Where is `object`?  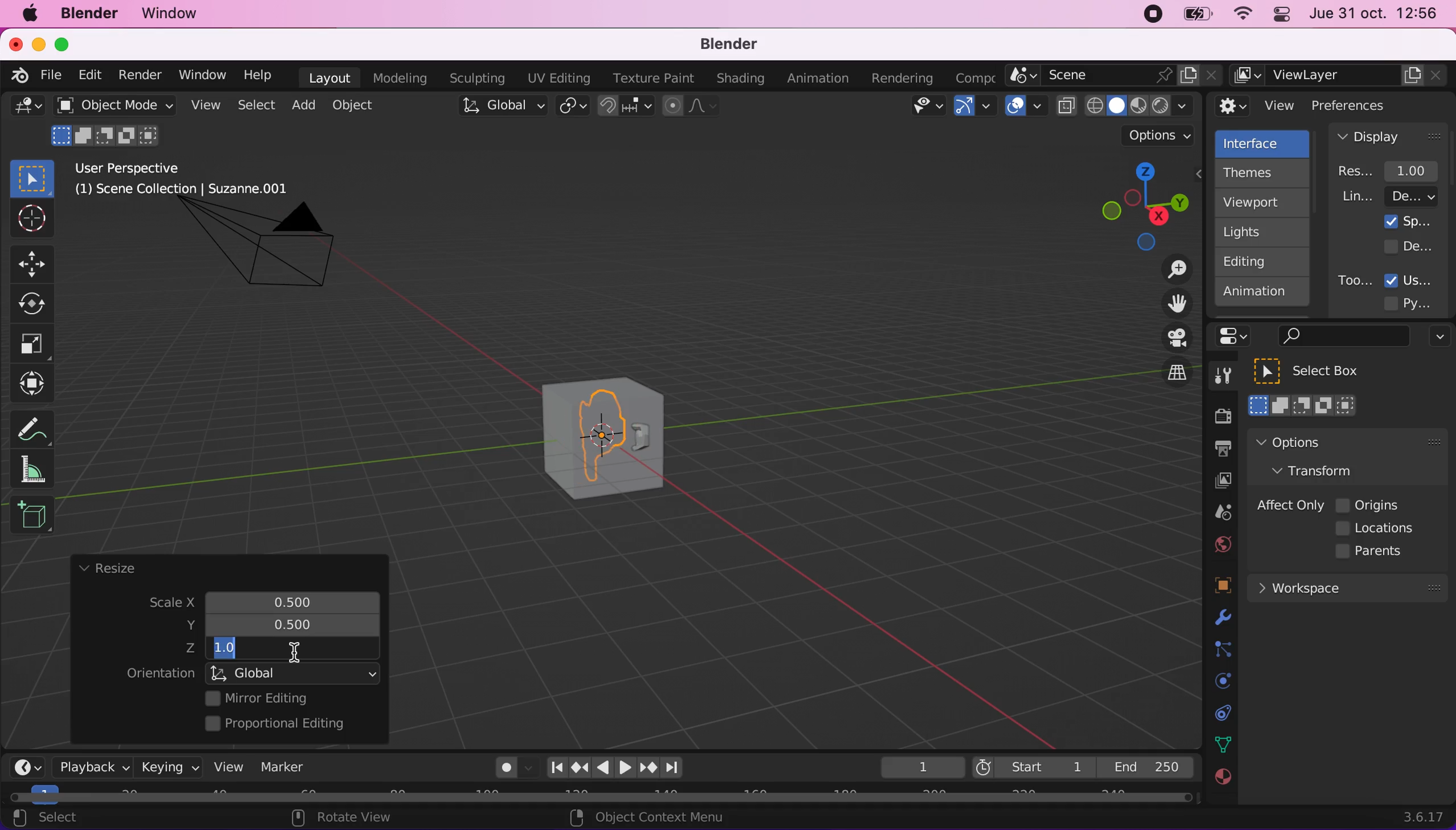
object is located at coordinates (356, 105).